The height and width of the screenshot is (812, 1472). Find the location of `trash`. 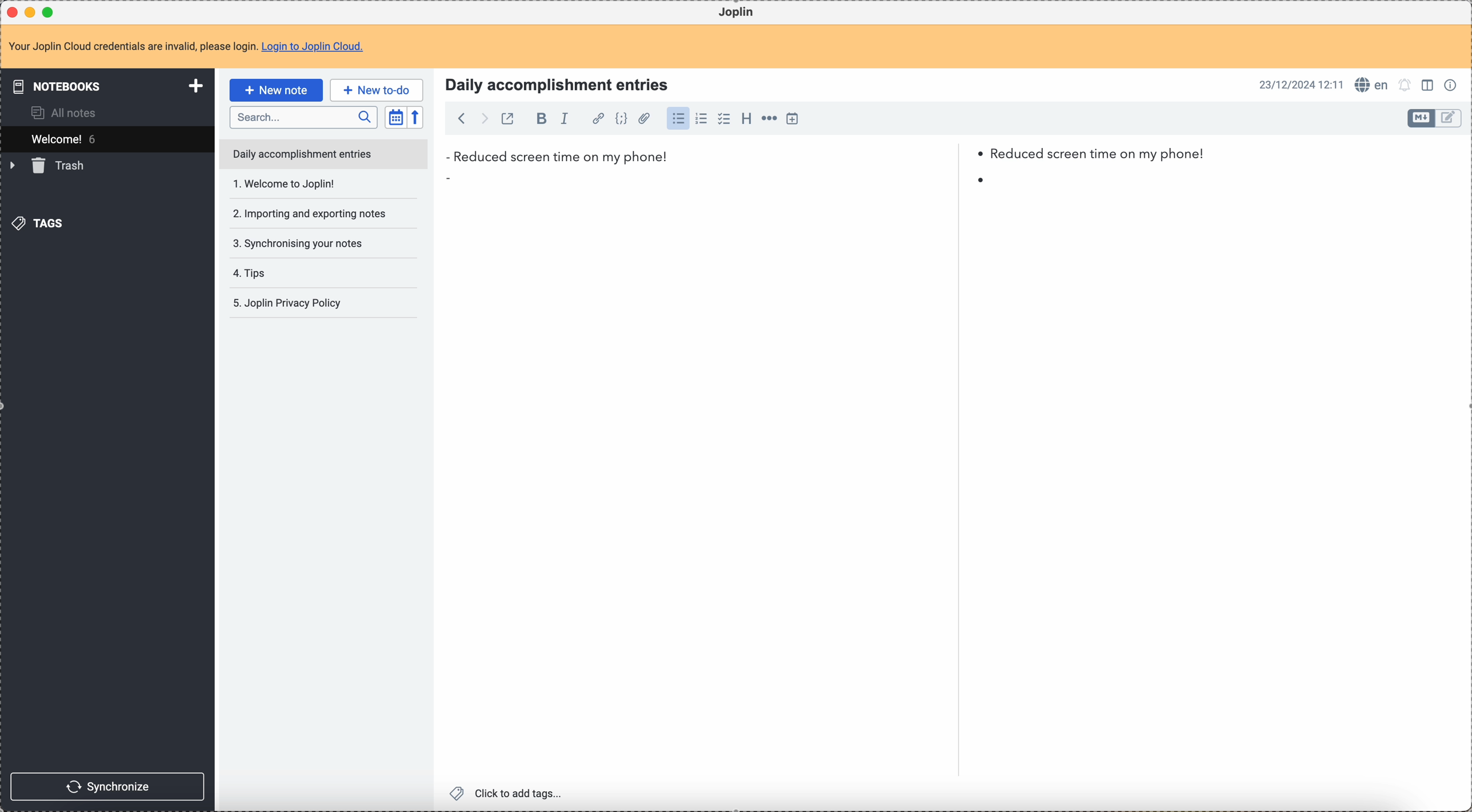

trash is located at coordinates (50, 166).